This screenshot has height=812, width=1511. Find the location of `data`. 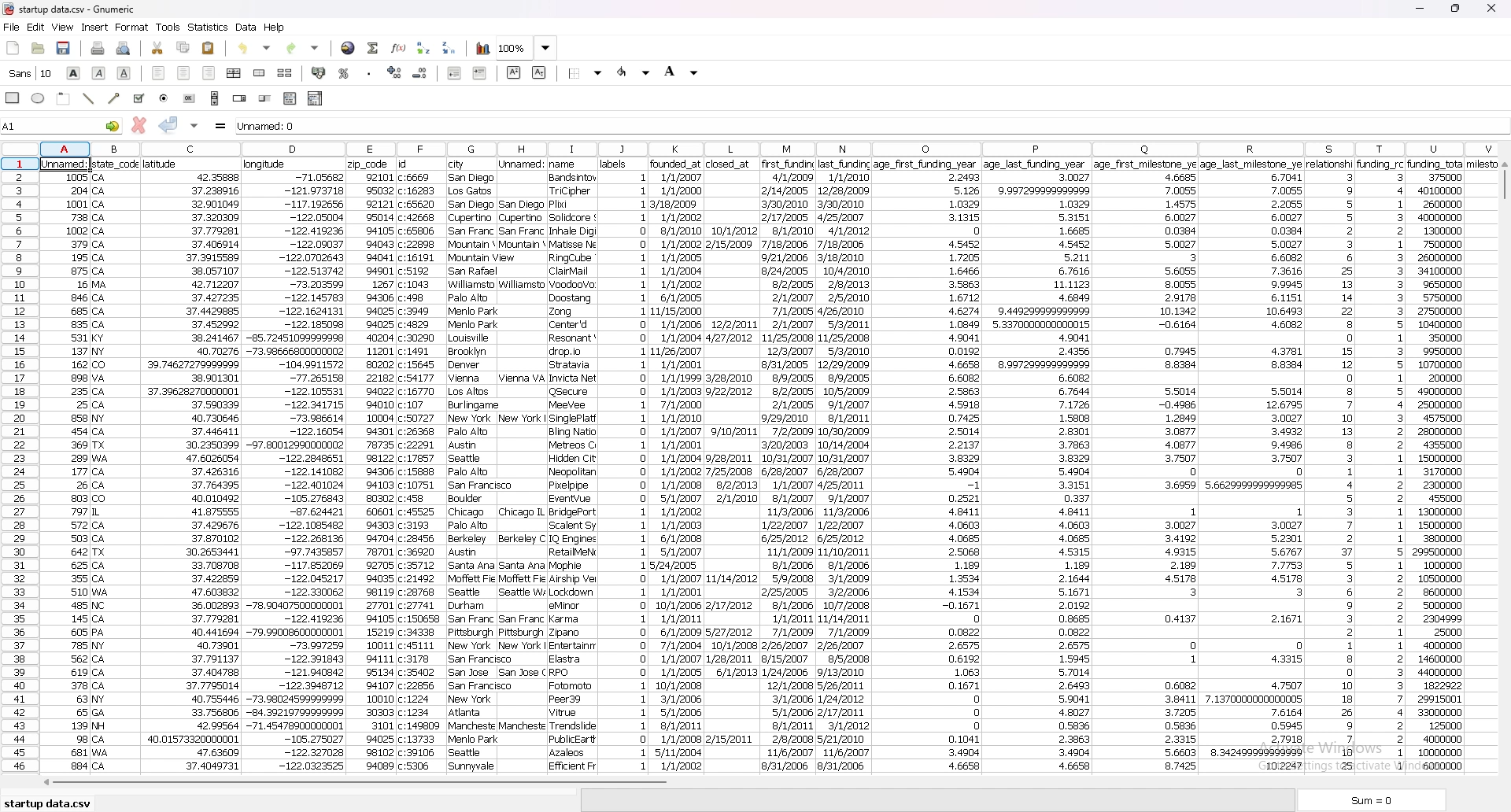

data is located at coordinates (1144, 467).